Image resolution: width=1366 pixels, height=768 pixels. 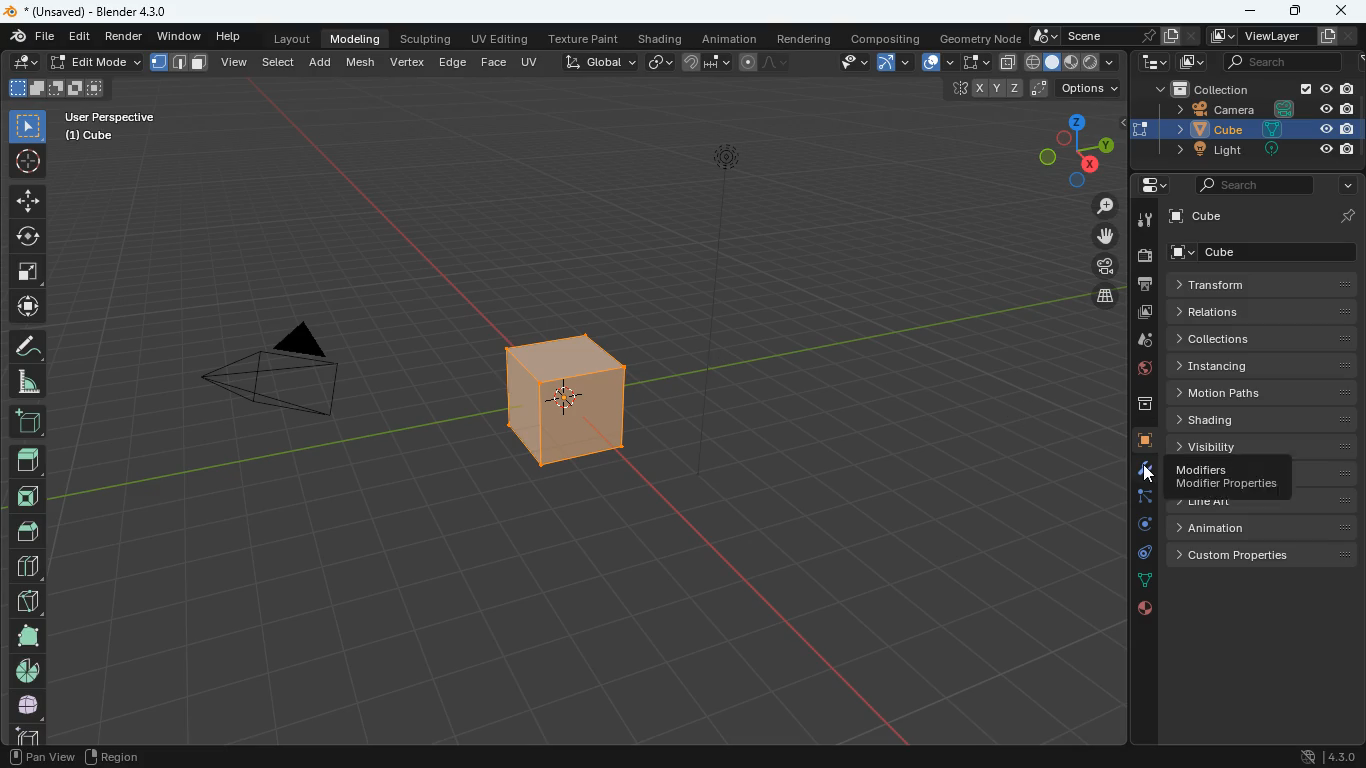 I want to click on dimensions, so click(x=1067, y=154).